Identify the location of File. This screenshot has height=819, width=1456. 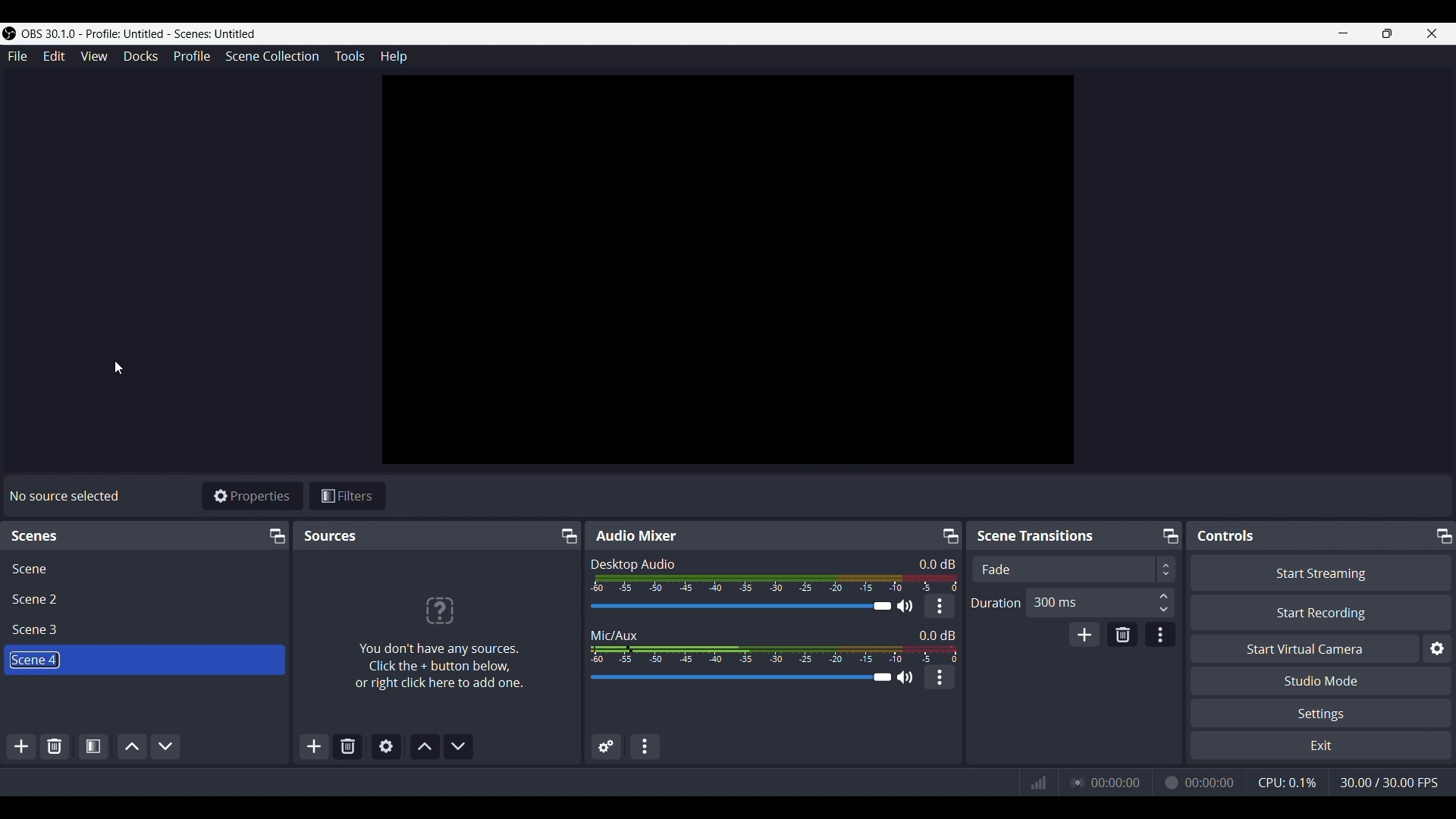
(20, 56).